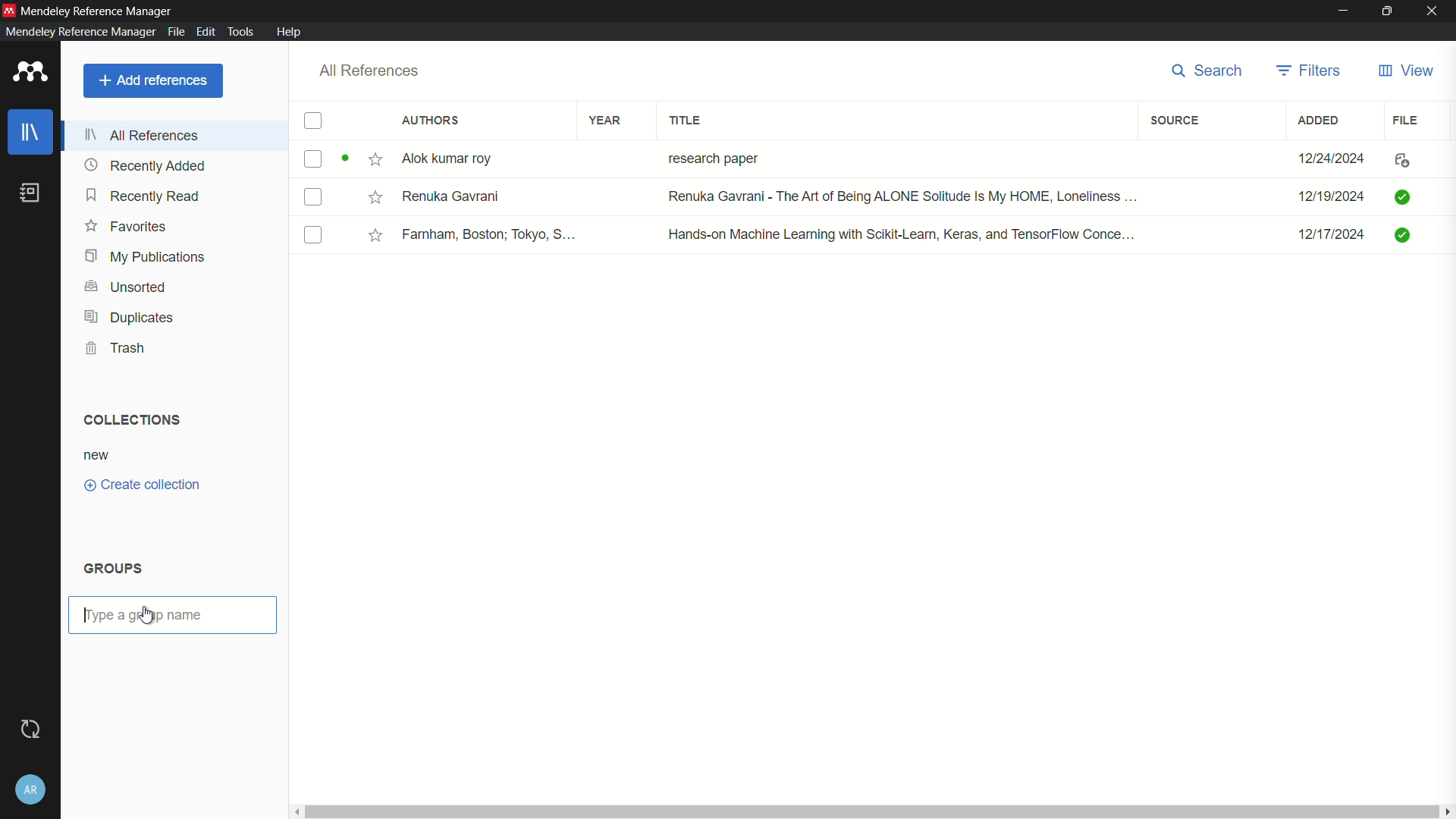 The image size is (1456, 819). I want to click on file menu, so click(174, 30).